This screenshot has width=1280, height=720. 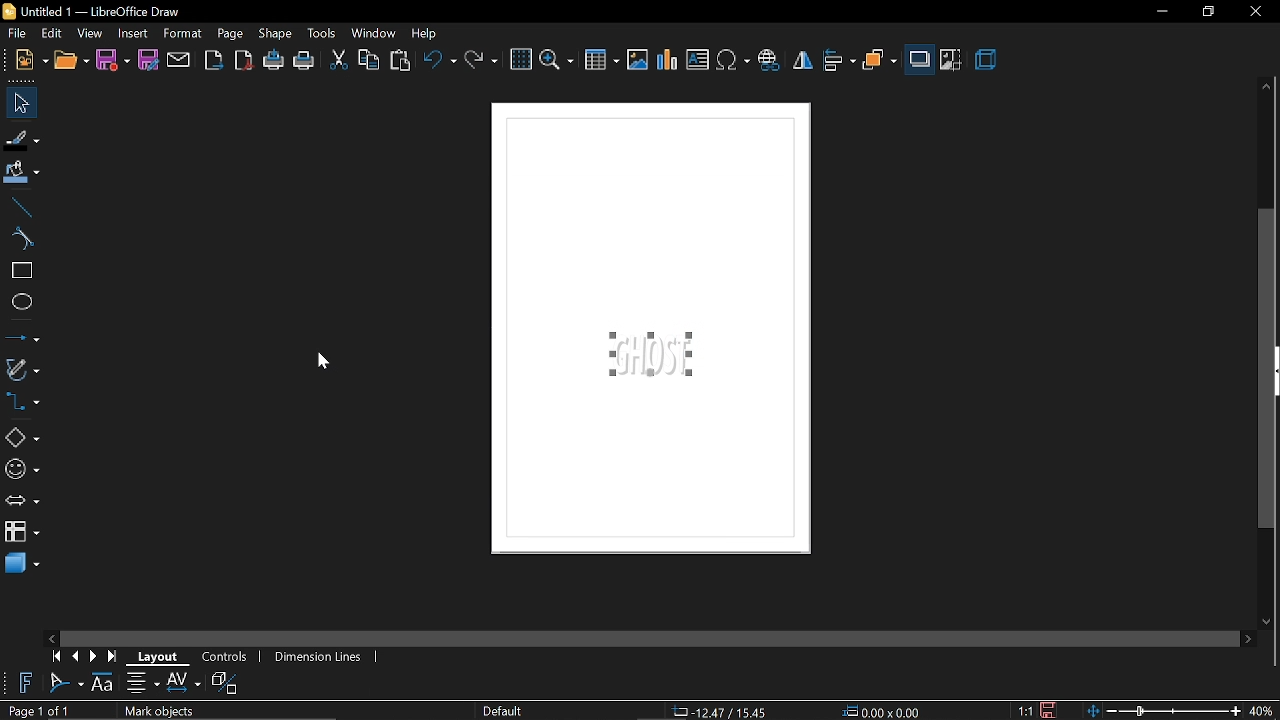 I want to click on minimize, so click(x=1162, y=12).